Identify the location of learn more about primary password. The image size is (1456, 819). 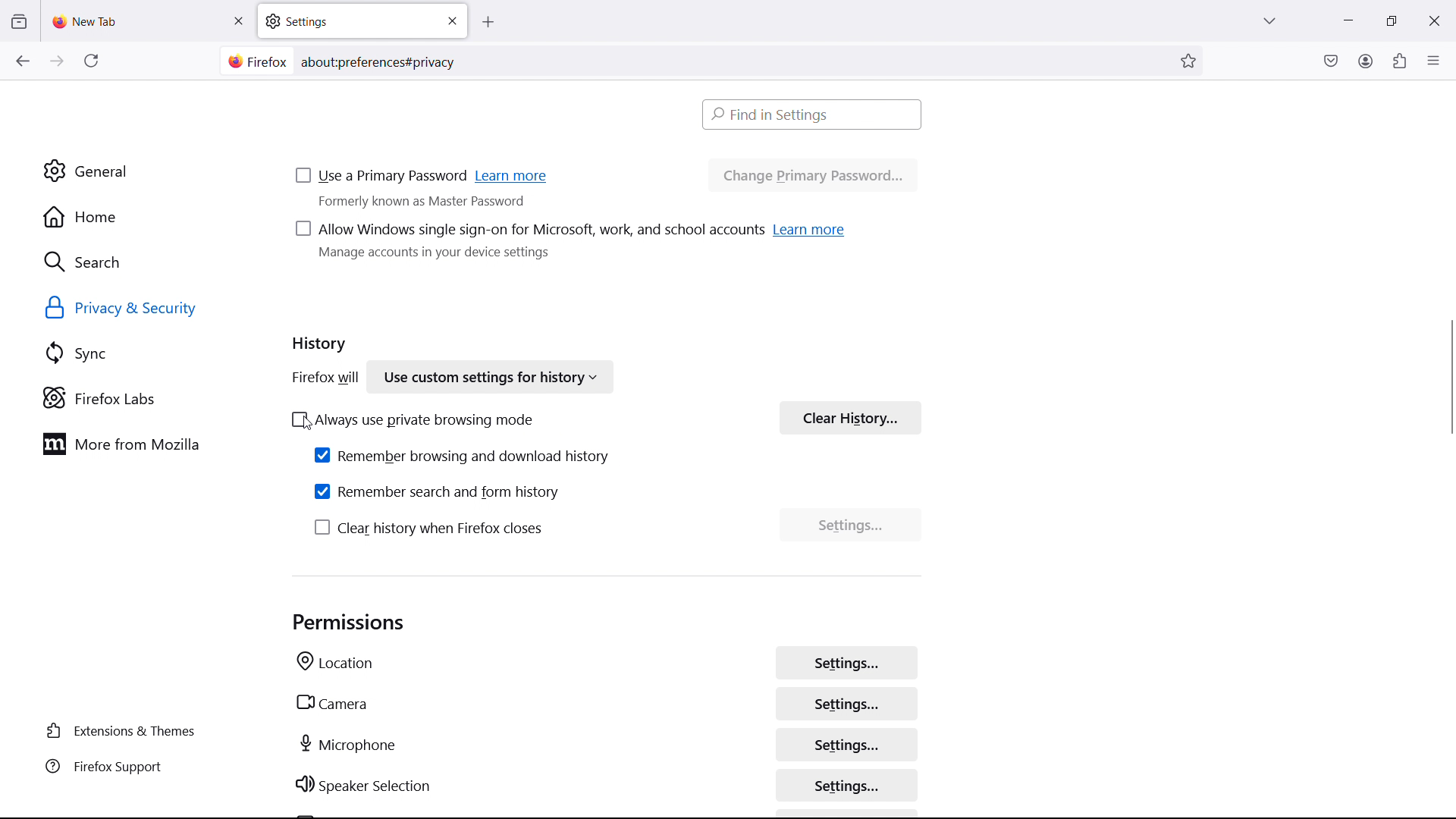
(513, 177).